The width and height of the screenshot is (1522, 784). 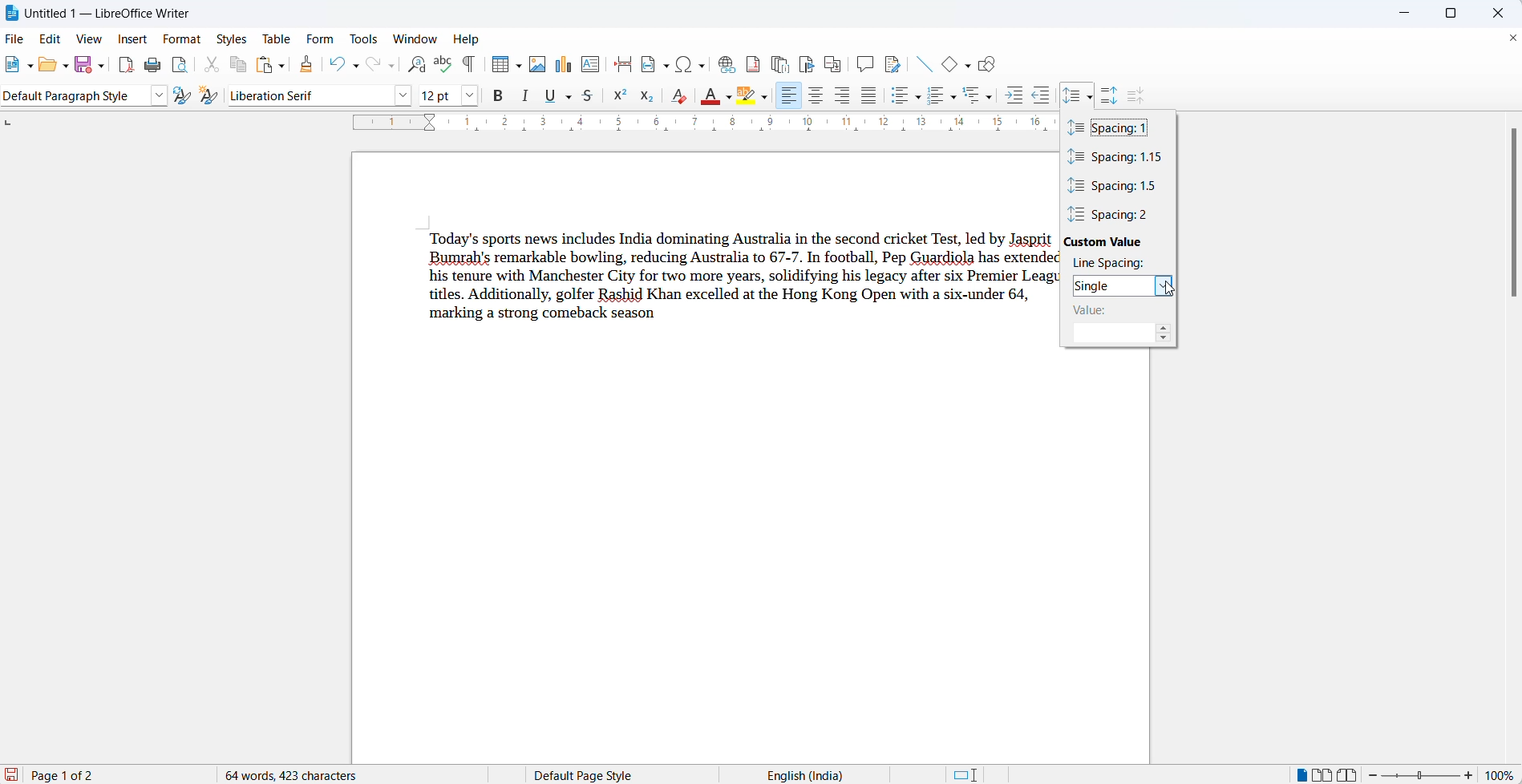 What do you see at coordinates (562, 65) in the screenshot?
I see `insert charts` at bounding box center [562, 65].